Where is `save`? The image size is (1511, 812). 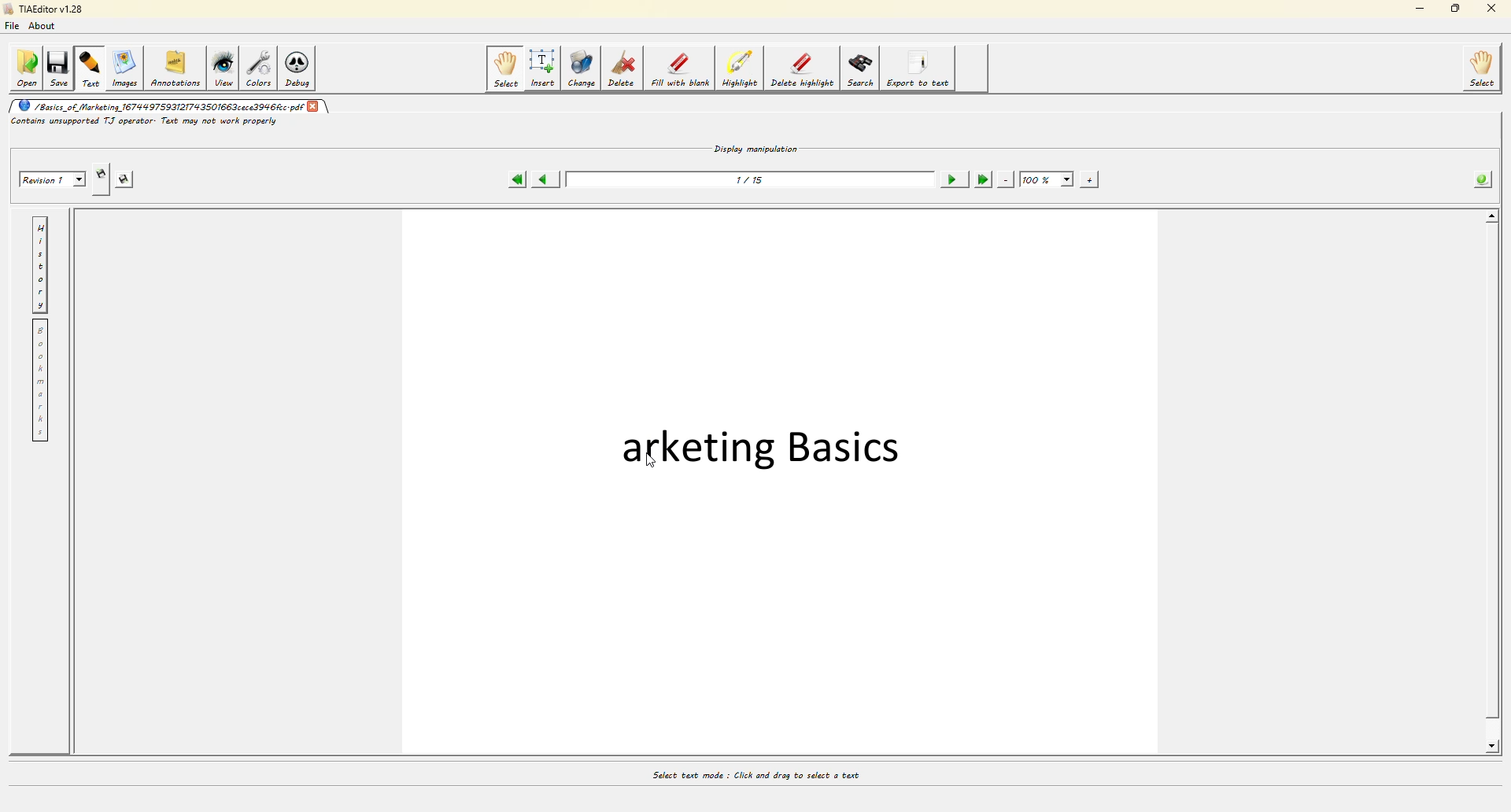
save is located at coordinates (60, 66).